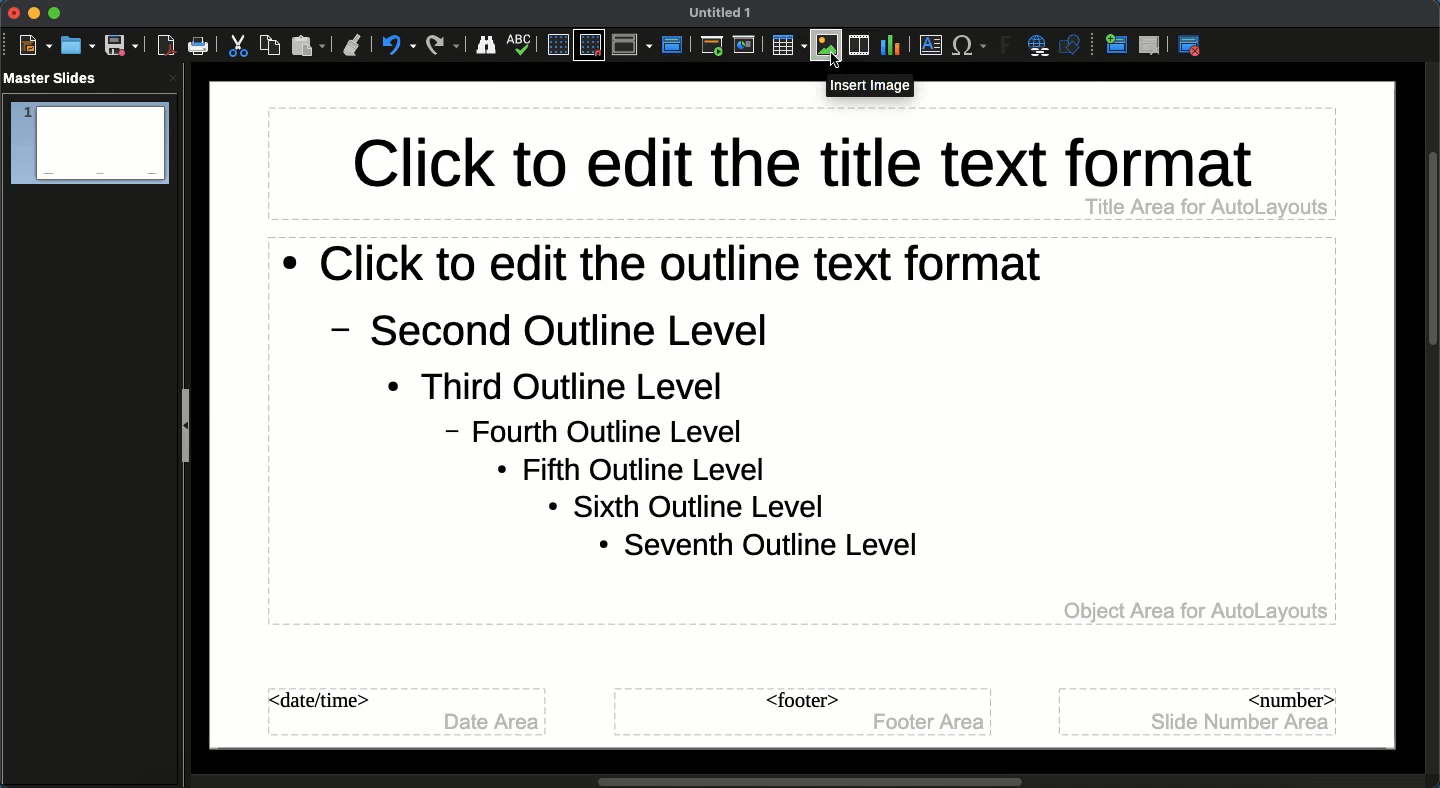 This screenshot has width=1440, height=788. I want to click on Master slide title, so click(805, 166).